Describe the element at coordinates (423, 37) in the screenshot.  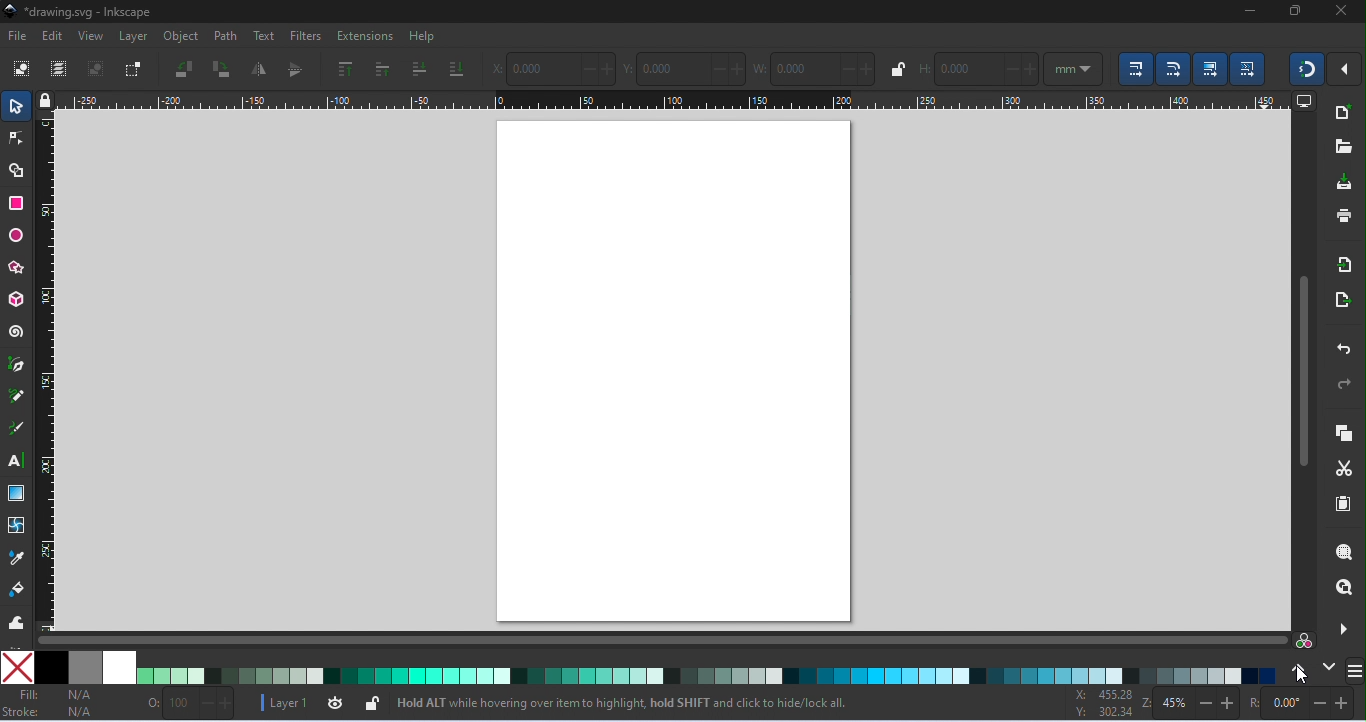
I see `help` at that location.